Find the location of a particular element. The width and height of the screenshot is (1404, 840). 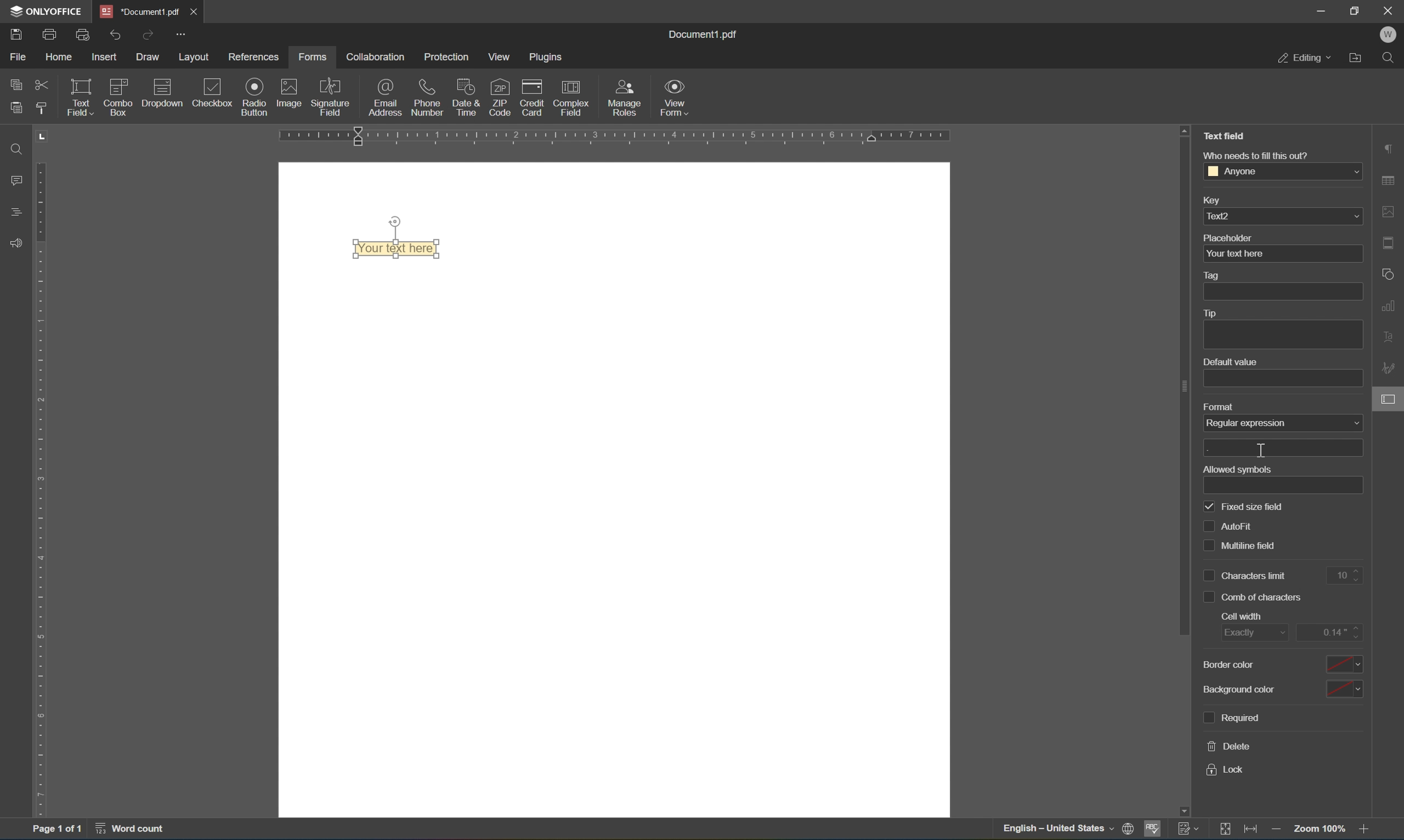

zoom 100% is located at coordinates (1318, 828).